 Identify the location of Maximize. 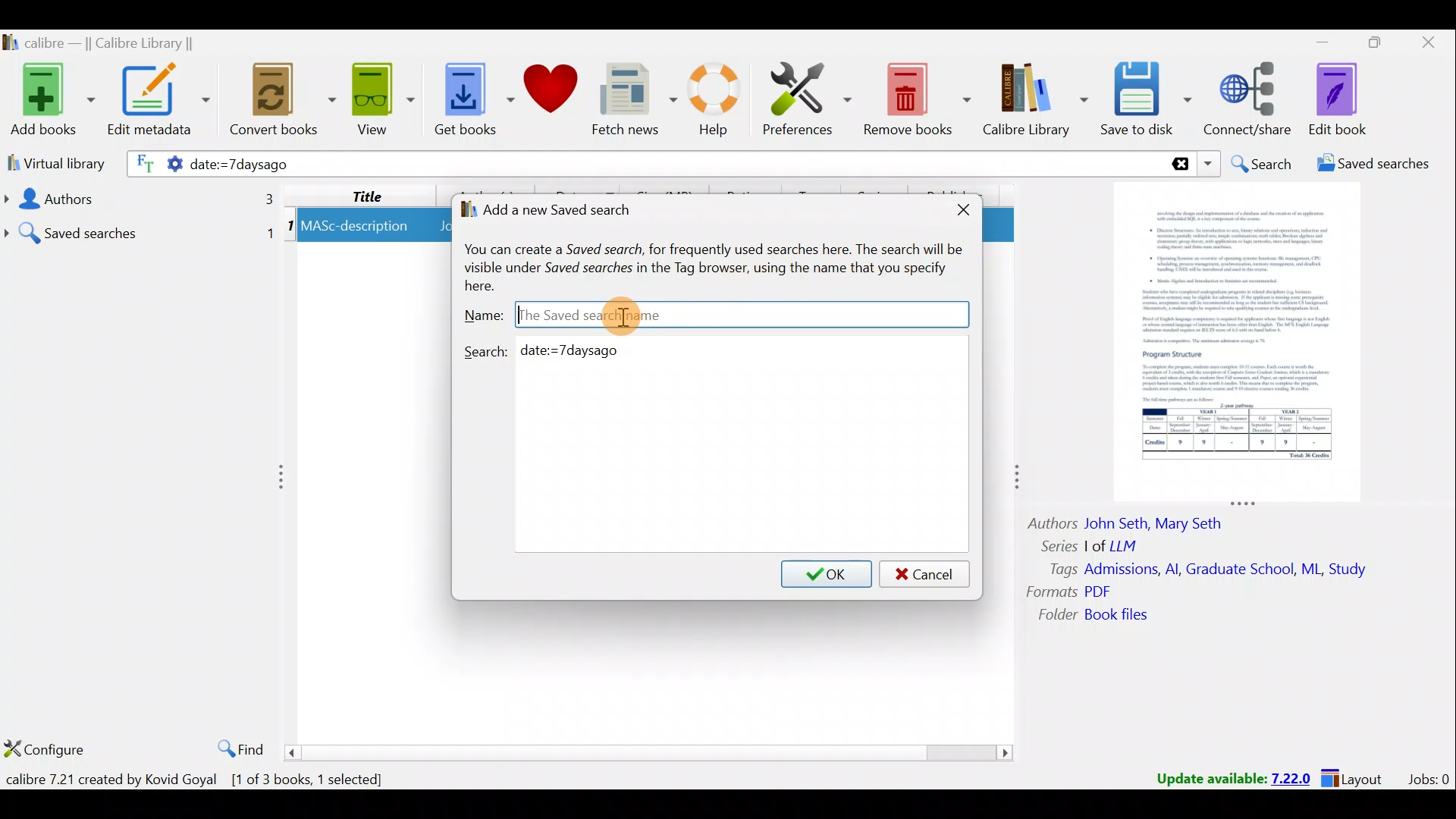
(1368, 45).